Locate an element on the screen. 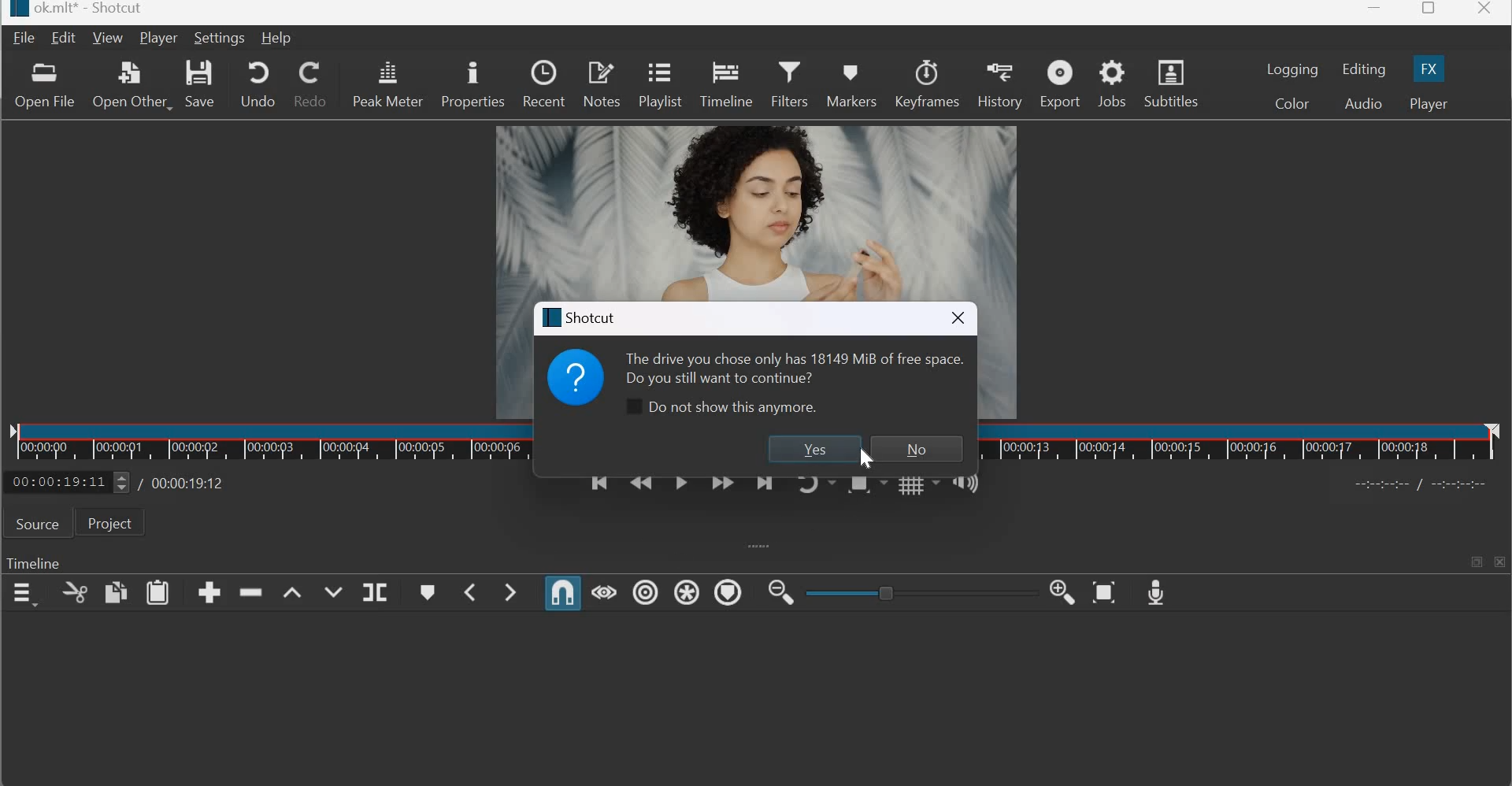 The image size is (1512, 786). Open File is located at coordinates (44, 87).